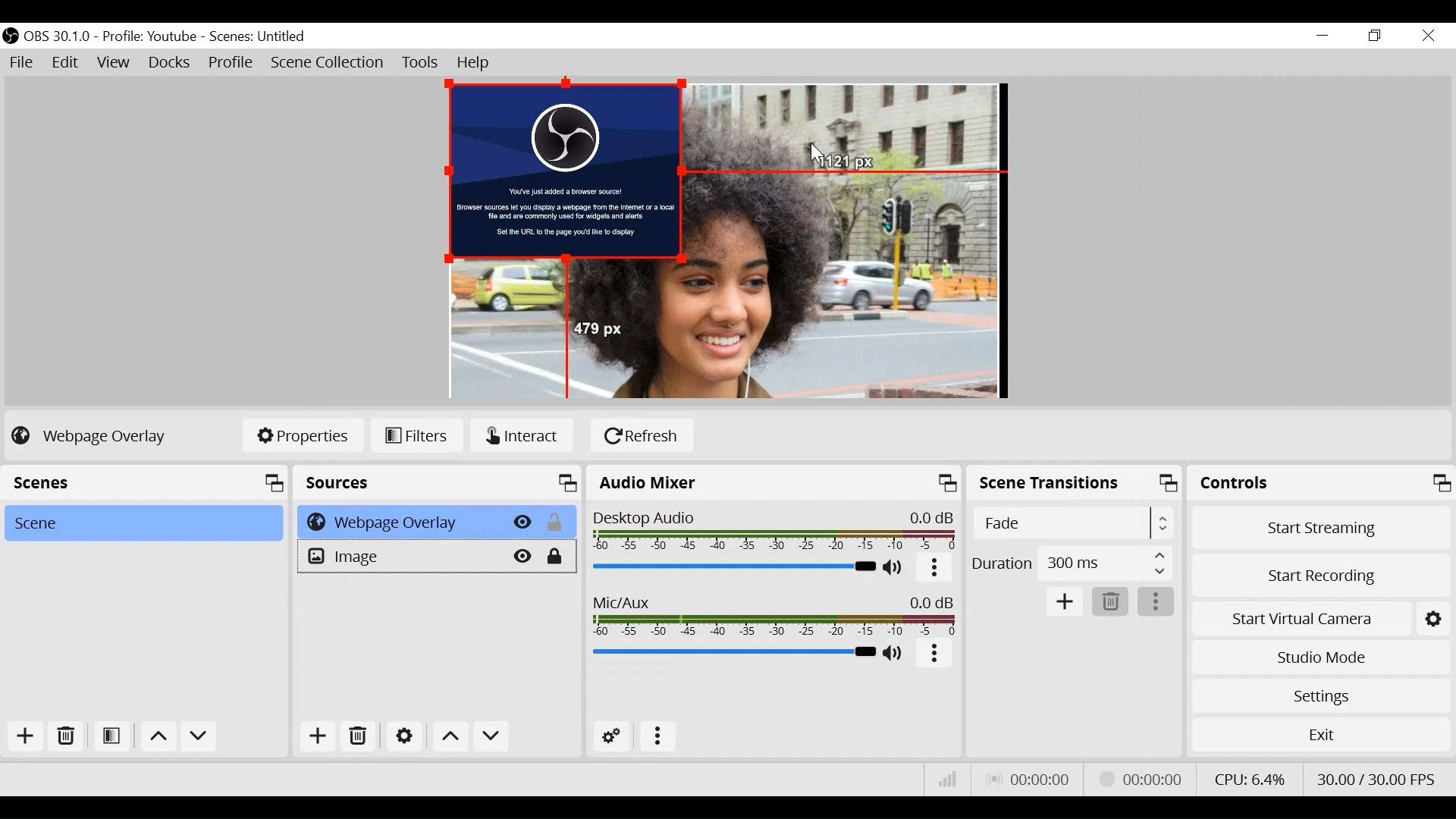  I want to click on Hide/Display, so click(525, 556).